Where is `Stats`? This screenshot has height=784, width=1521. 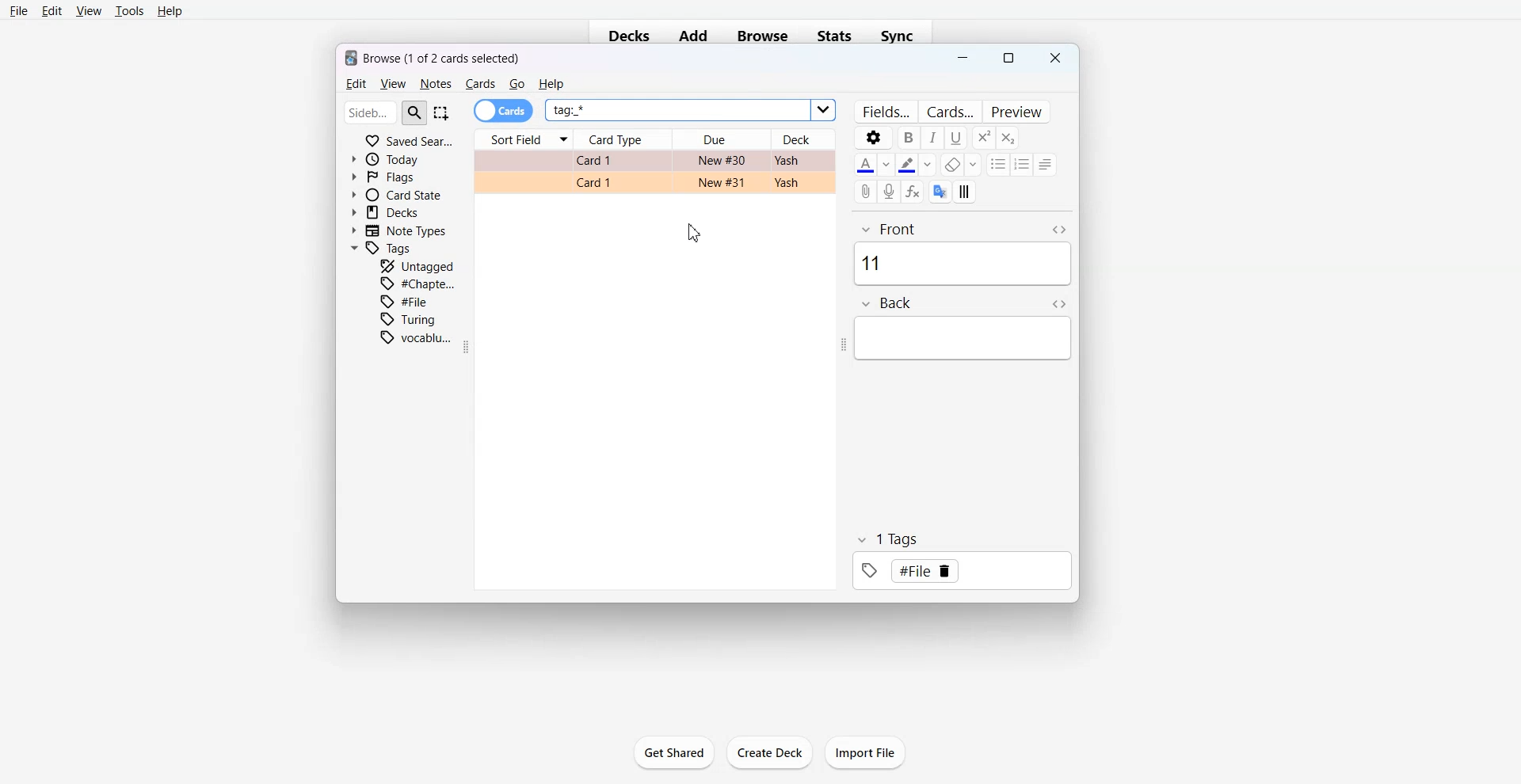 Stats is located at coordinates (837, 36).